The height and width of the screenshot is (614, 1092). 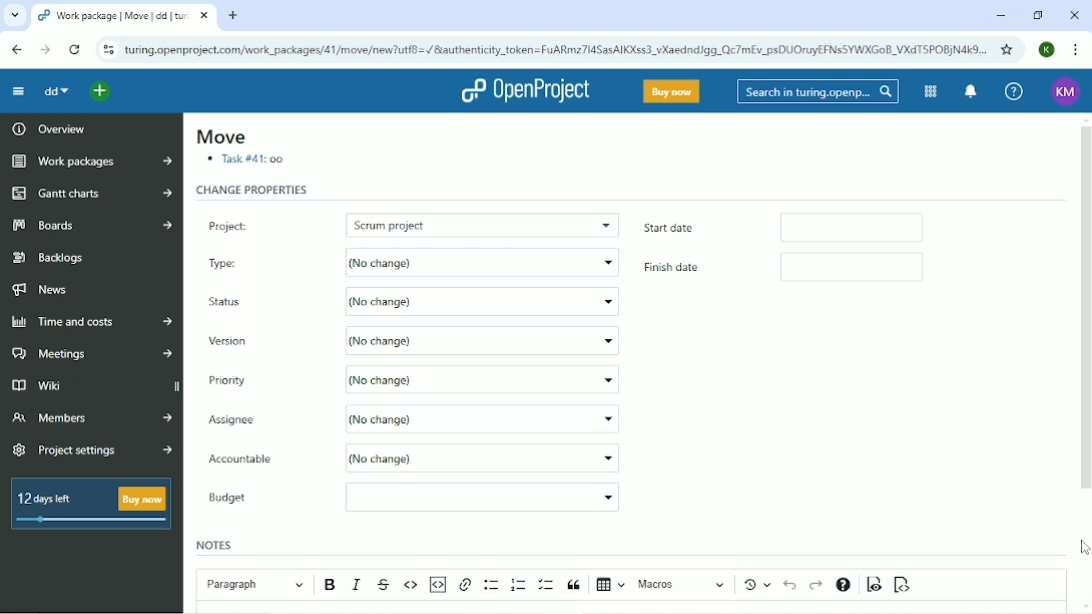 What do you see at coordinates (358, 584) in the screenshot?
I see `Italic` at bounding box center [358, 584].